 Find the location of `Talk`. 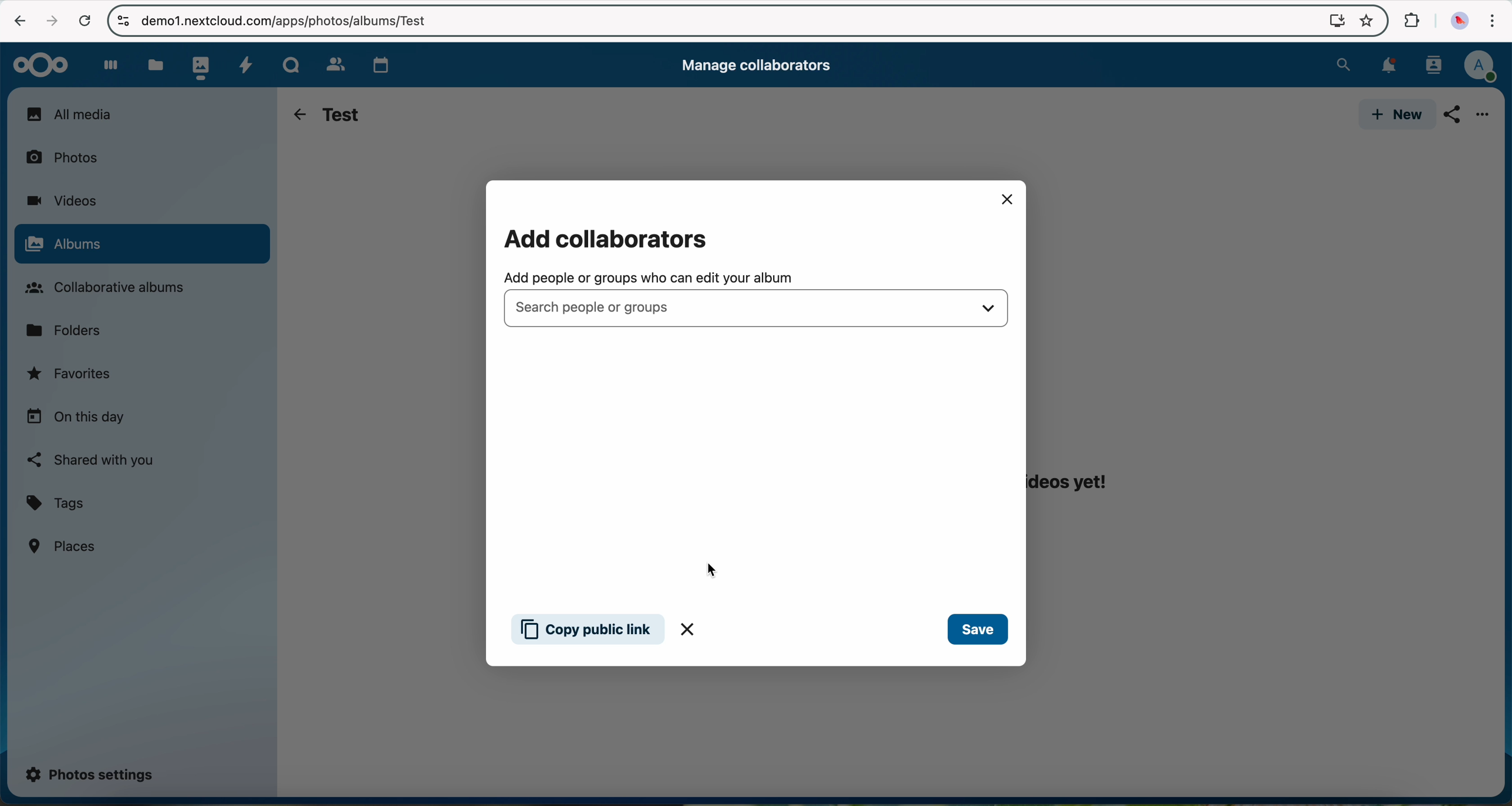

Talk is located at coordinates (291, 63).